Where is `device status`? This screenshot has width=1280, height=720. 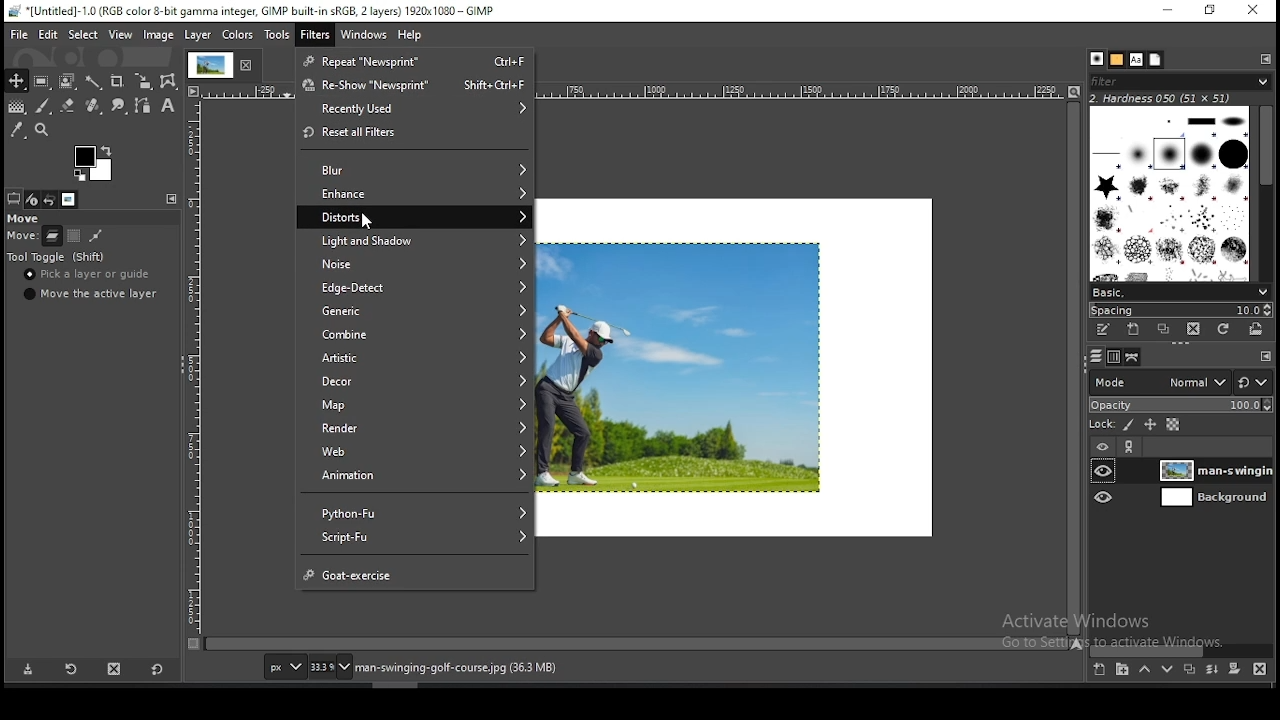 device status is located at coordinates (32, 199).